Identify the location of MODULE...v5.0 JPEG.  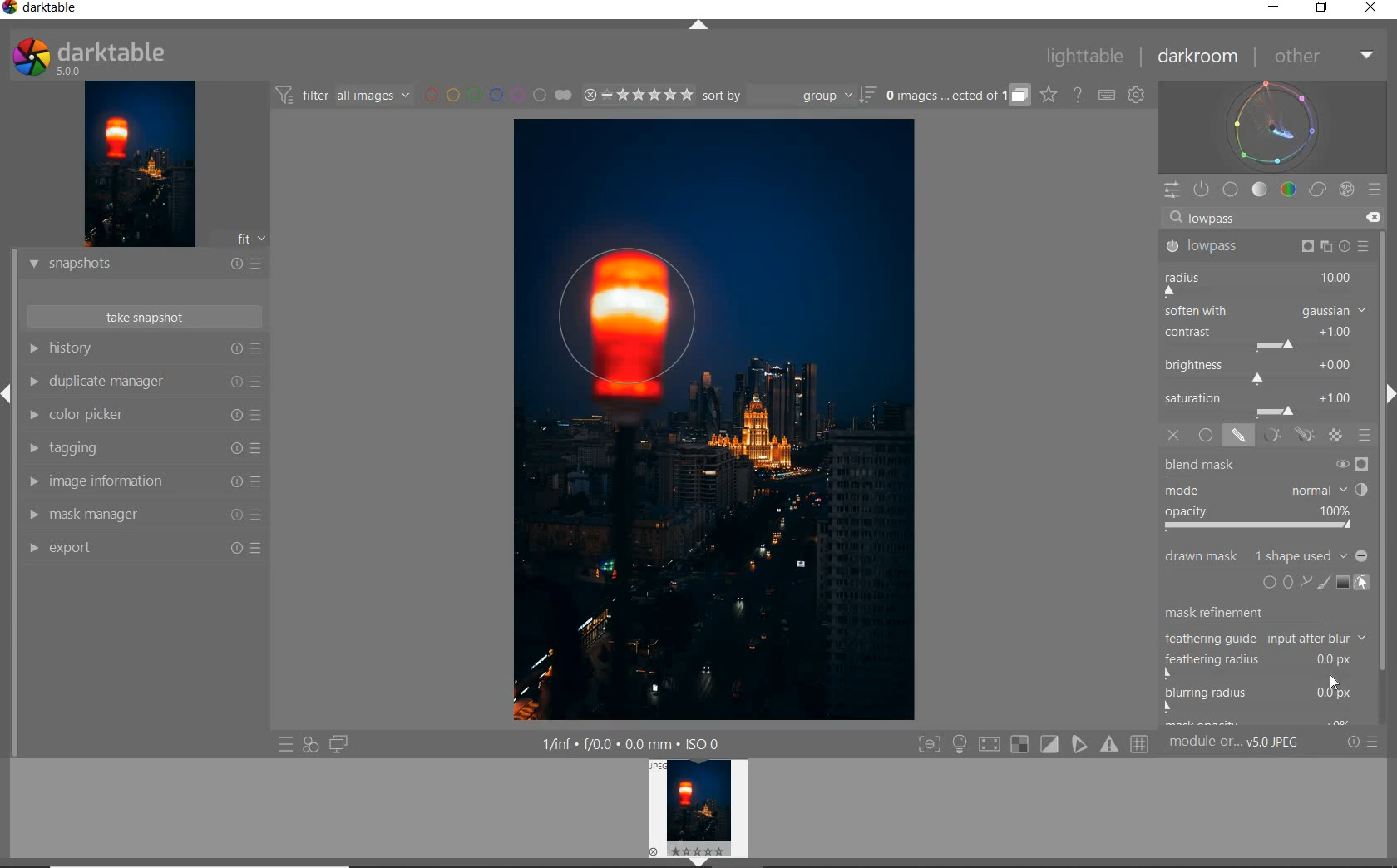
(1251, 744).